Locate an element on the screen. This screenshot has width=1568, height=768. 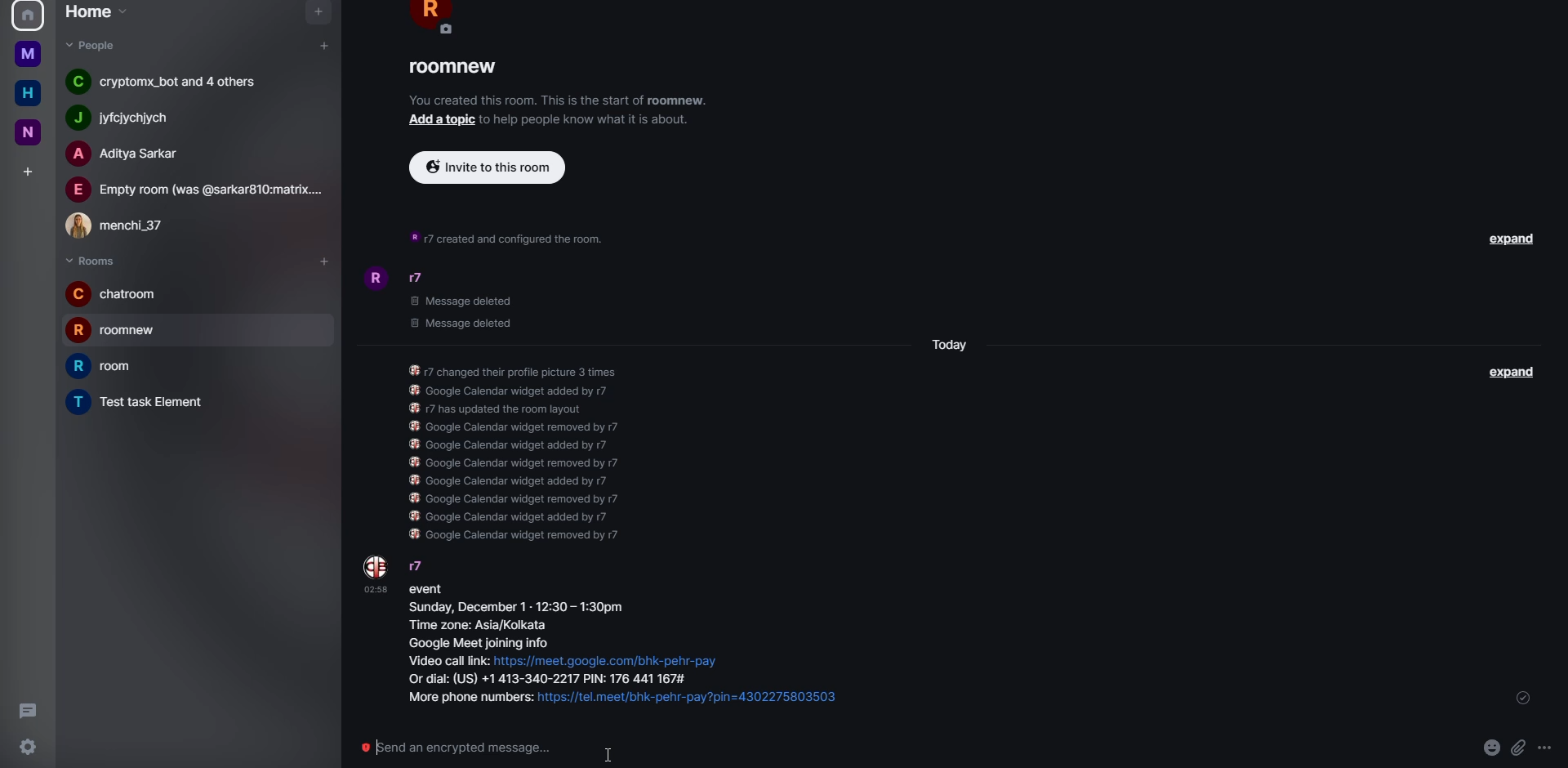
day is located at coordinates (948, 341).